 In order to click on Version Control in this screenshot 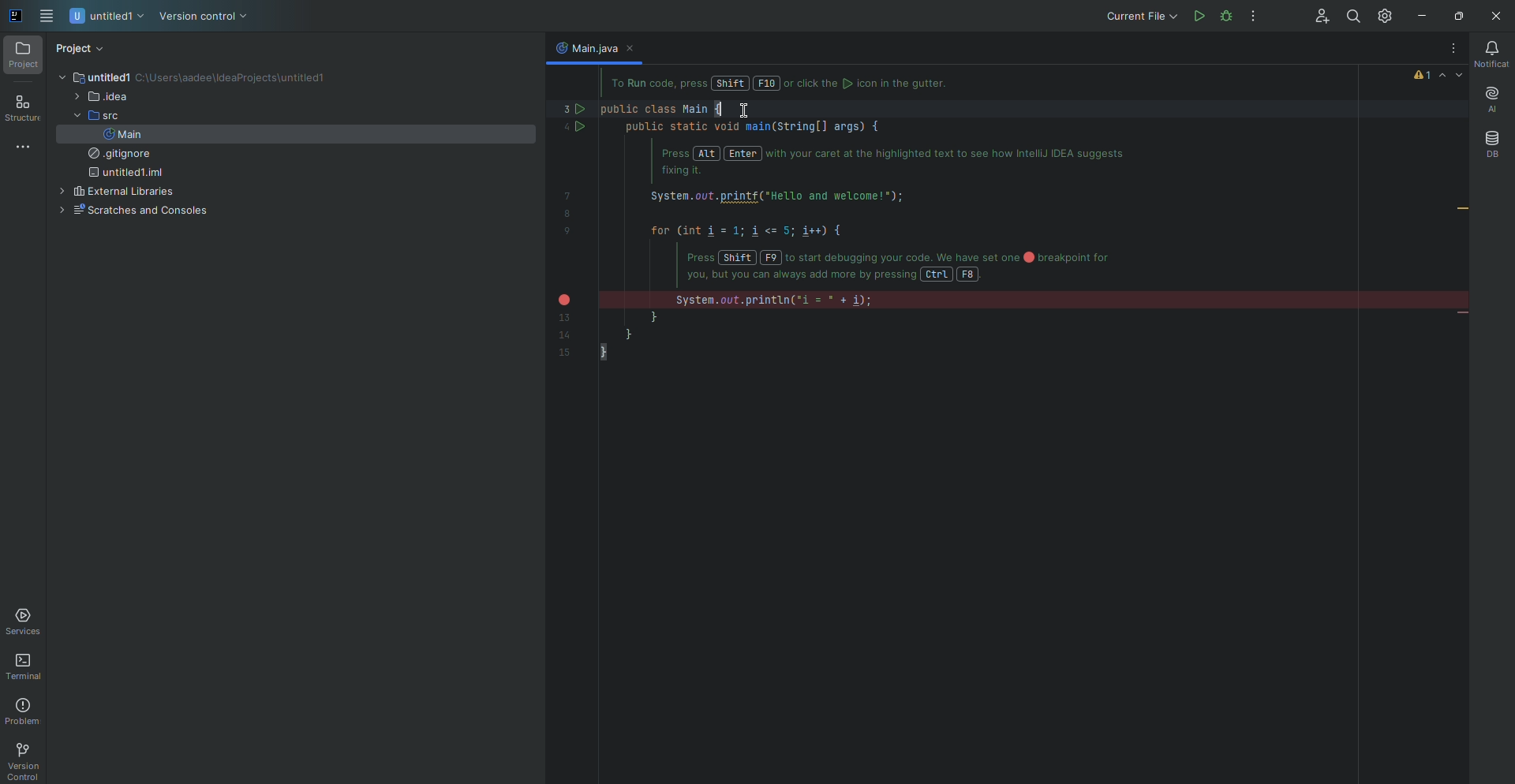, I will do `click(204, 17)`.